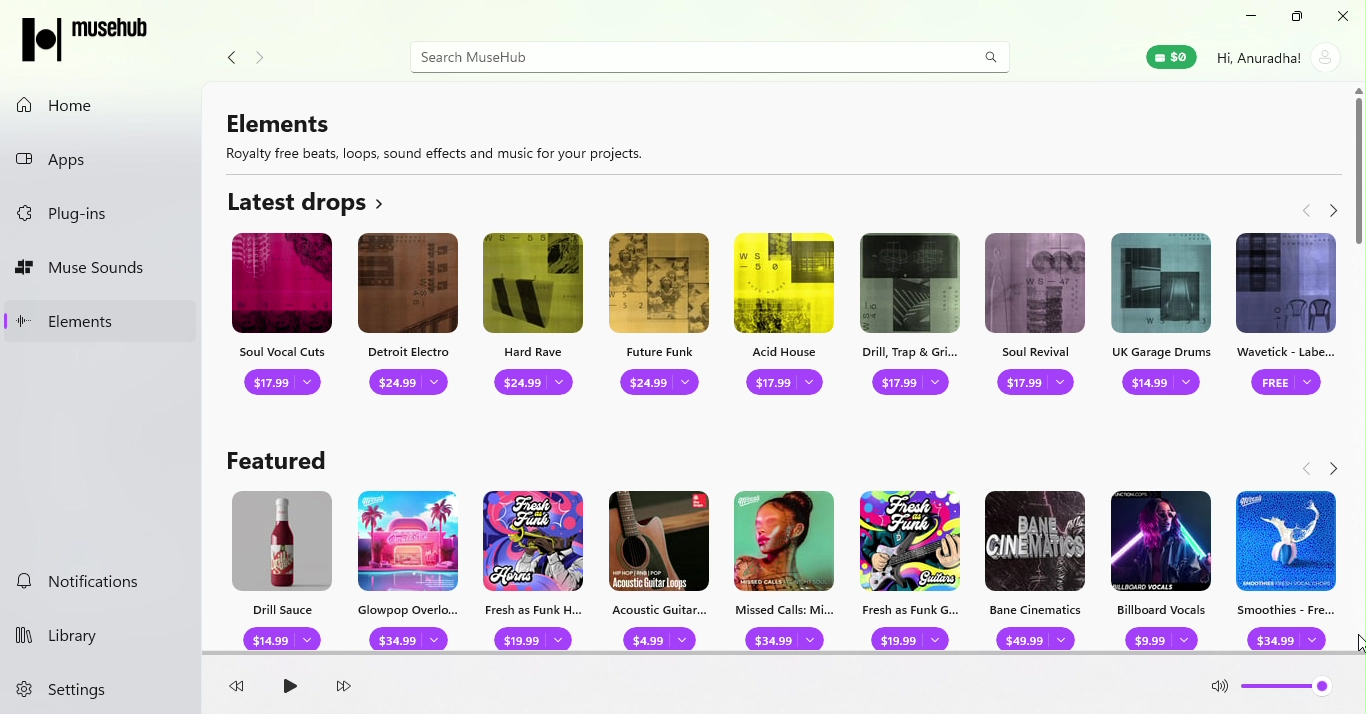 This screenshot has height=714, width=1366. What do you see at coordinates (787, 316) in the screenshot?
I see `Acid house` at bounding box center [787, 316].